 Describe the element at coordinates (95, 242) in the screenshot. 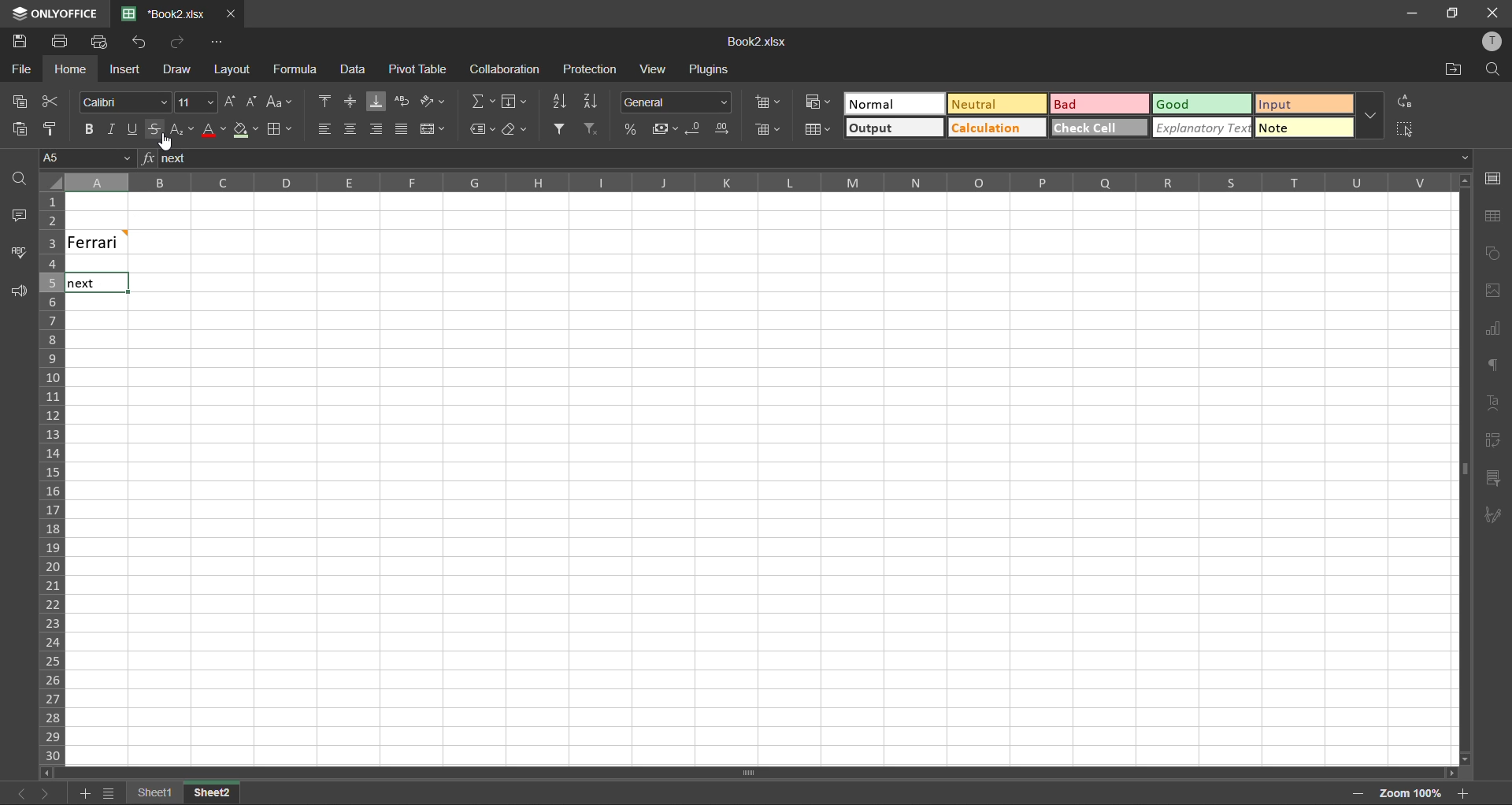

I see `Ferrari` at that location.